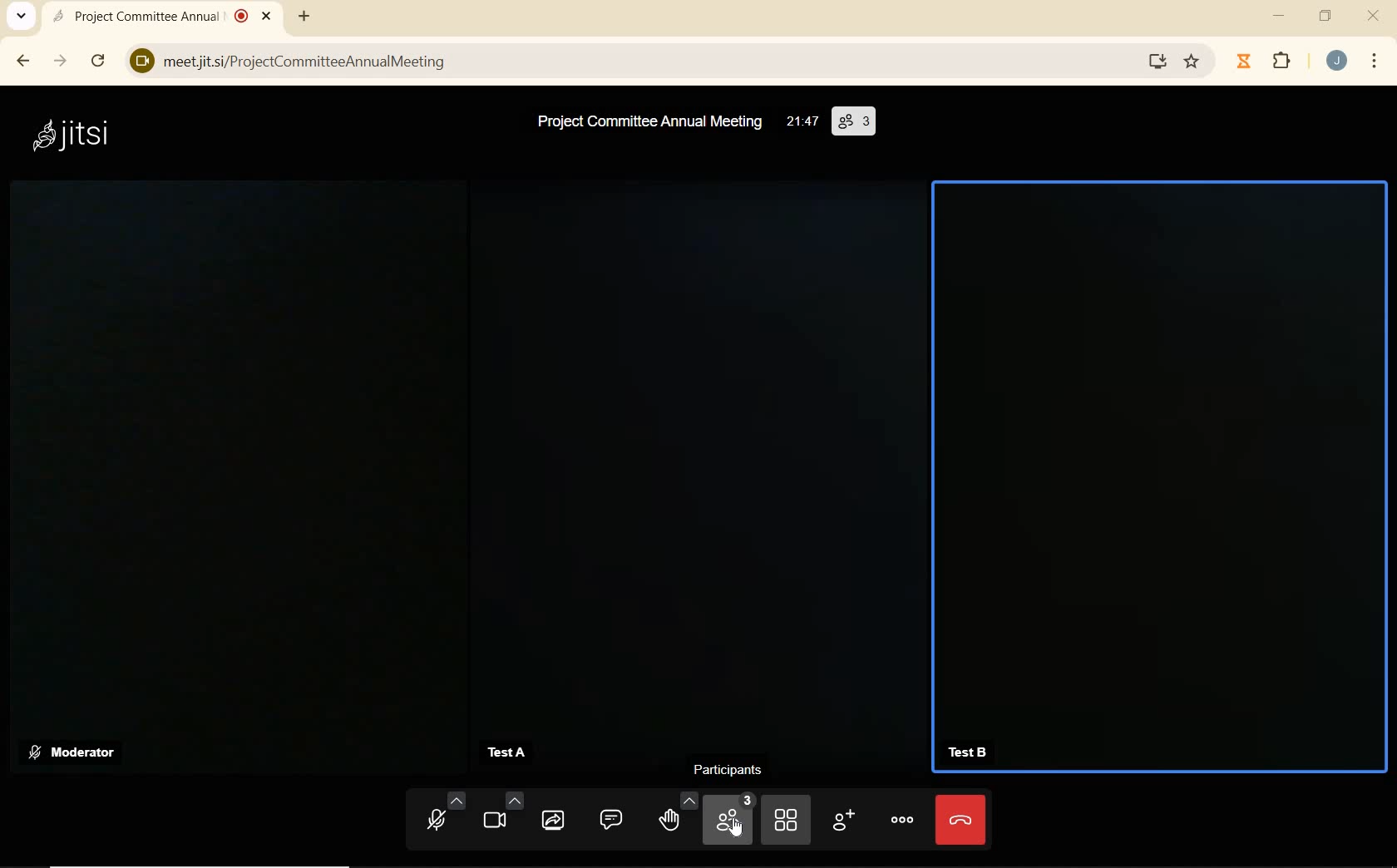 The height and width of the screenshot is (868, 1397). I want to click on MORE ACTIONS, so click(900, 816).